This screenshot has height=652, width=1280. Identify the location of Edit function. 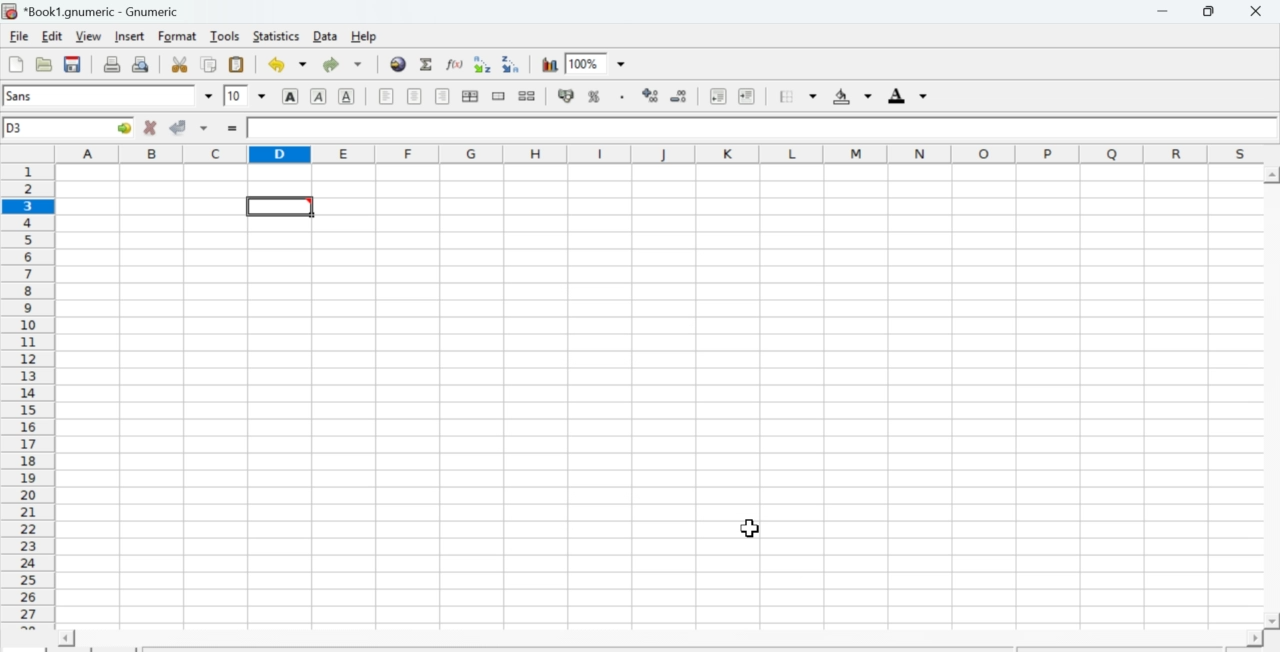
(454, 67).